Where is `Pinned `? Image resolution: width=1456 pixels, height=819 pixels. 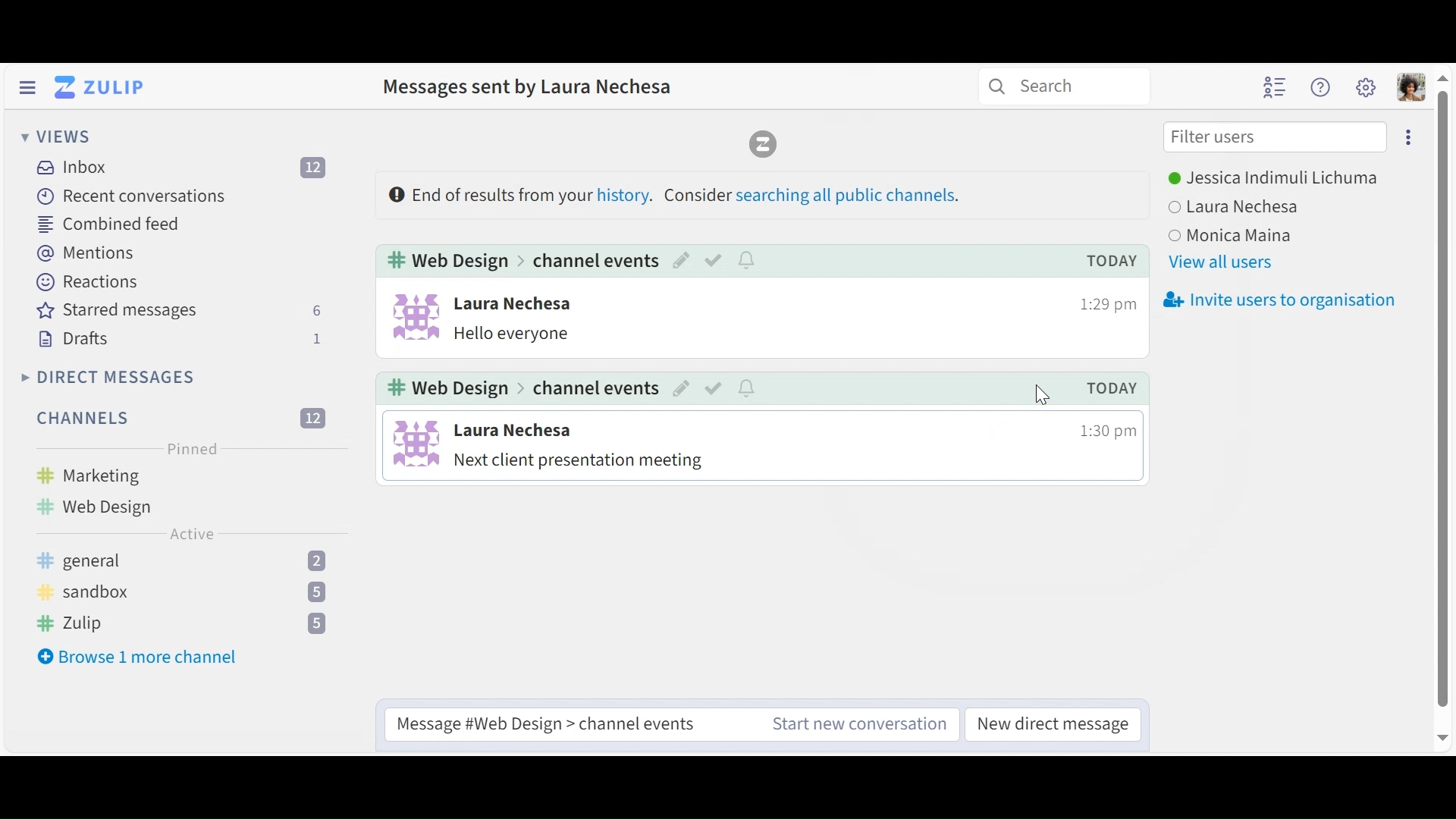 Pinned  is located at coordinates (189, 448).